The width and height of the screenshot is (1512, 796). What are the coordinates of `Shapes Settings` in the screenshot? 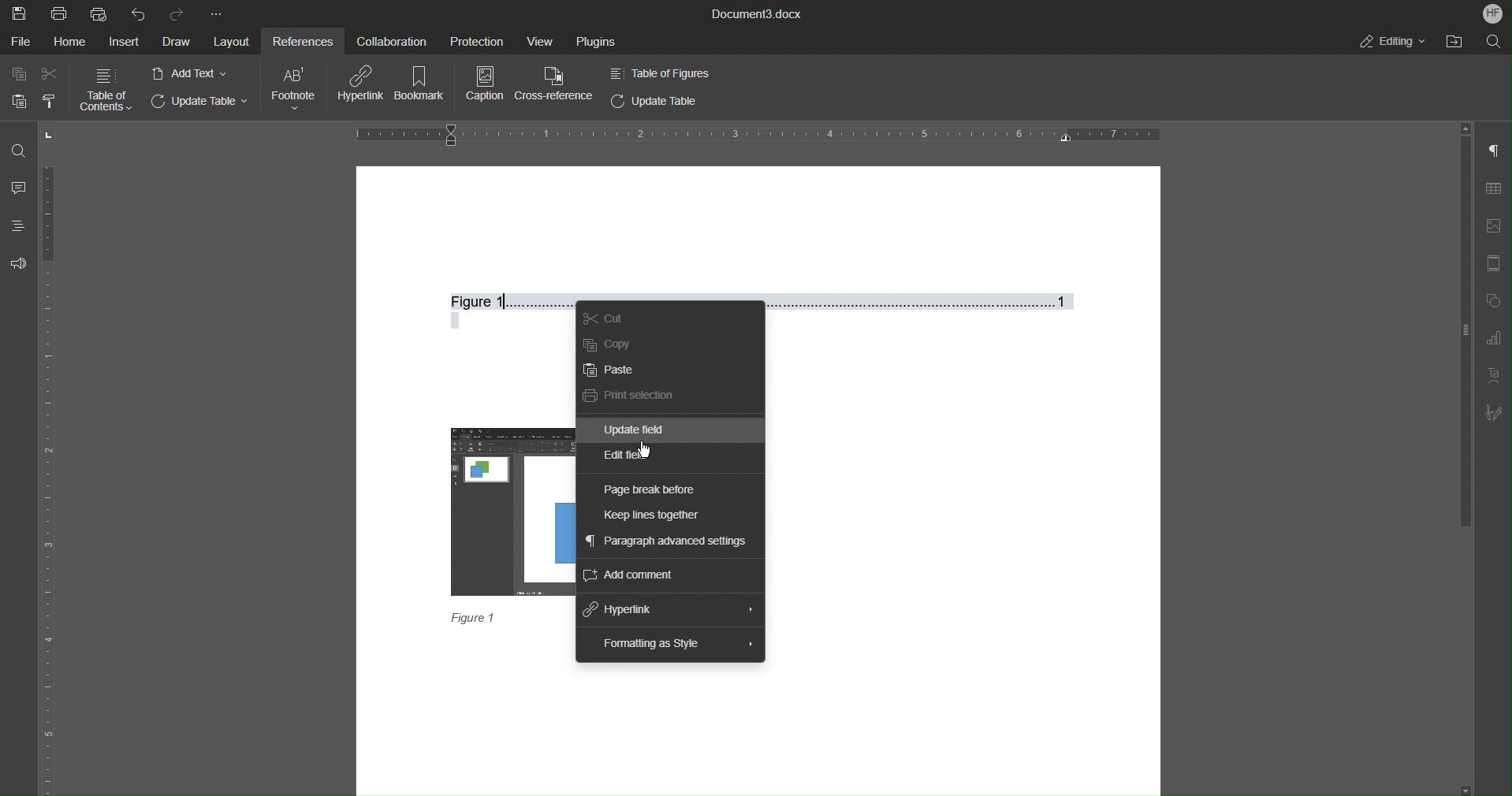 It's located at (1496, 303).